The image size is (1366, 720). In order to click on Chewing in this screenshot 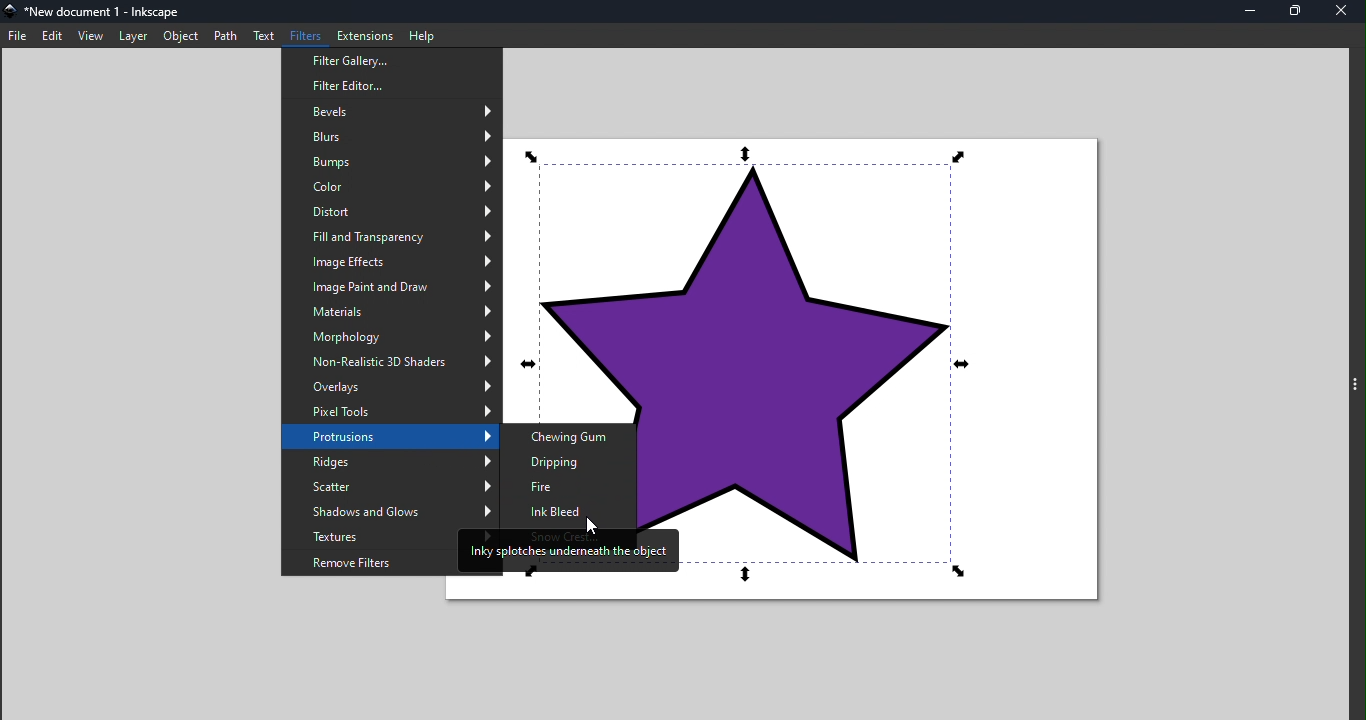, I will do `click(567, 434)`.